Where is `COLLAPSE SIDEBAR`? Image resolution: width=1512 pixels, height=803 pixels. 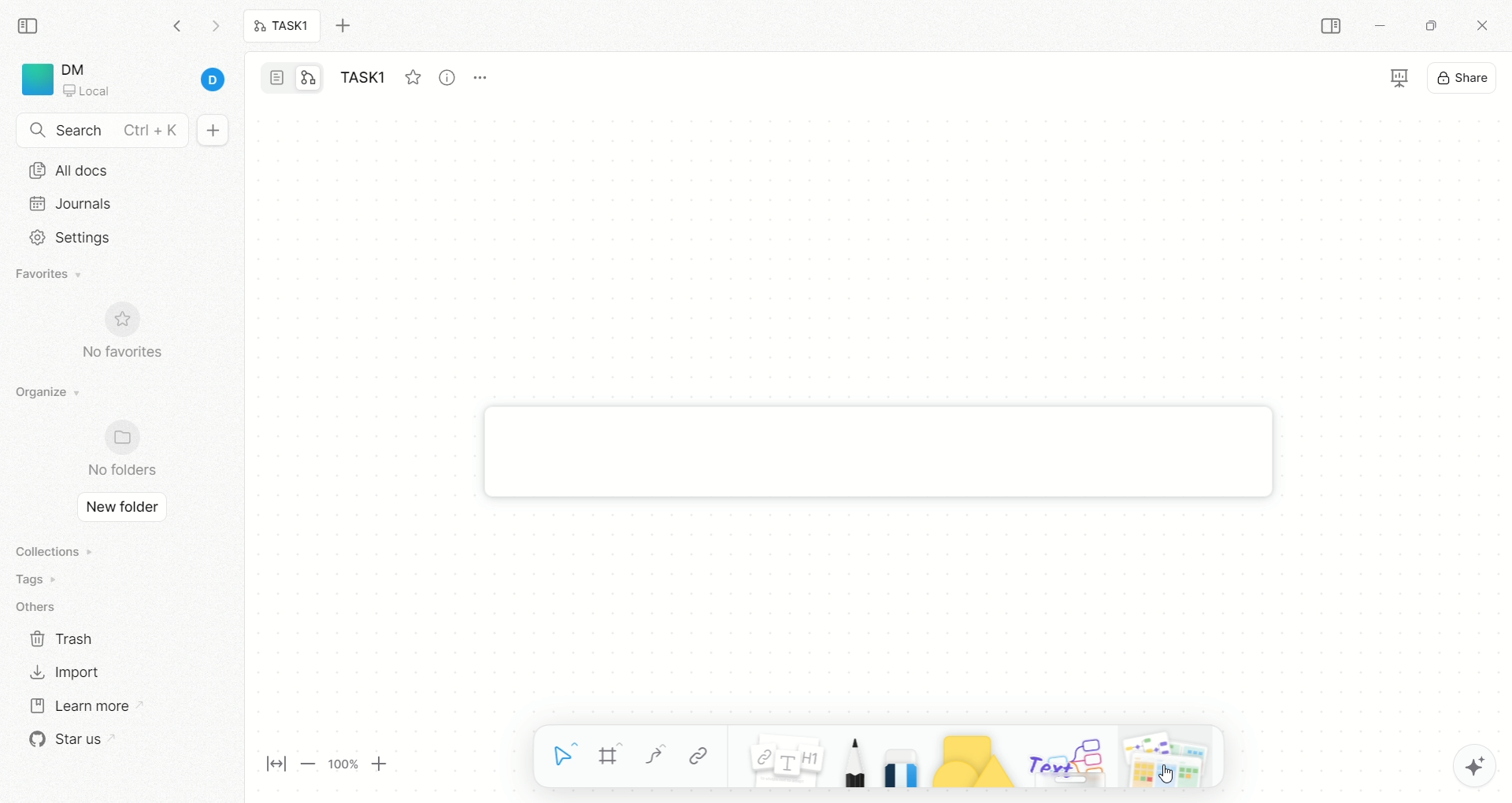
COLLAPSE SIDEBAR is located at coordinates (1332, 27).